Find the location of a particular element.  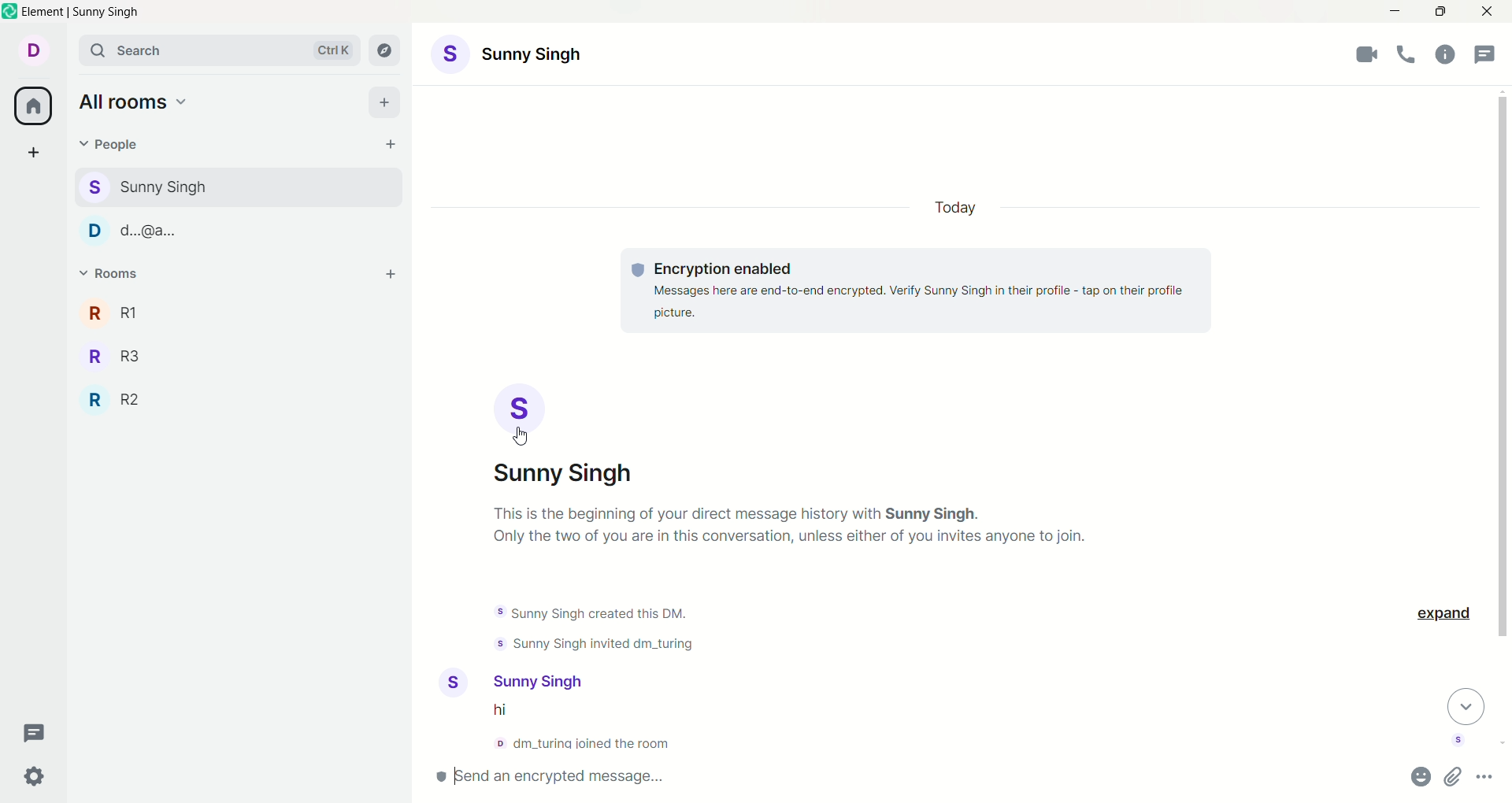

Scroll is located at coordinates (1503, 382).